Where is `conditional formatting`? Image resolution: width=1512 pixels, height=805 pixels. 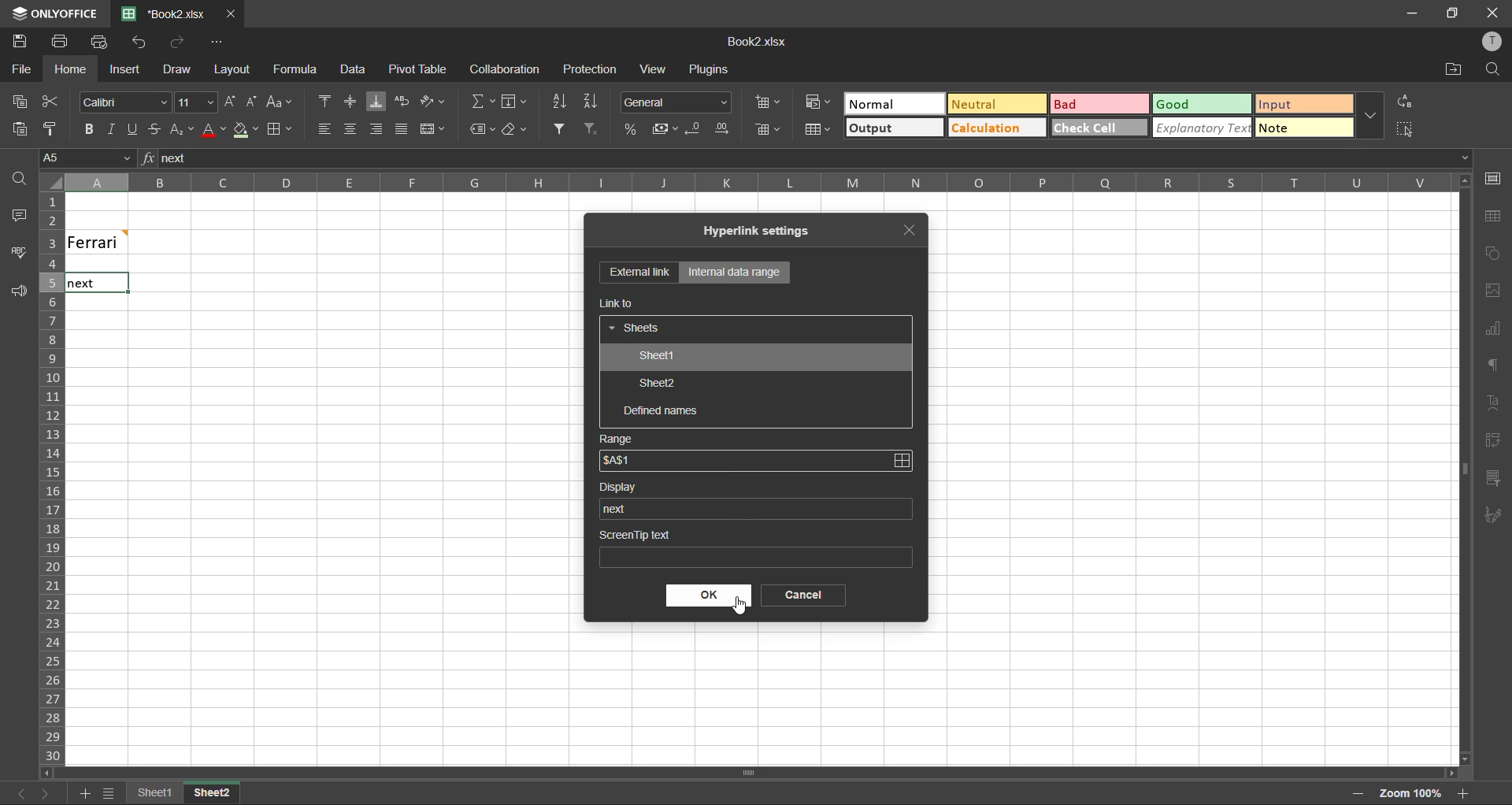 conditional formatting is located at coordinates (815, 102).